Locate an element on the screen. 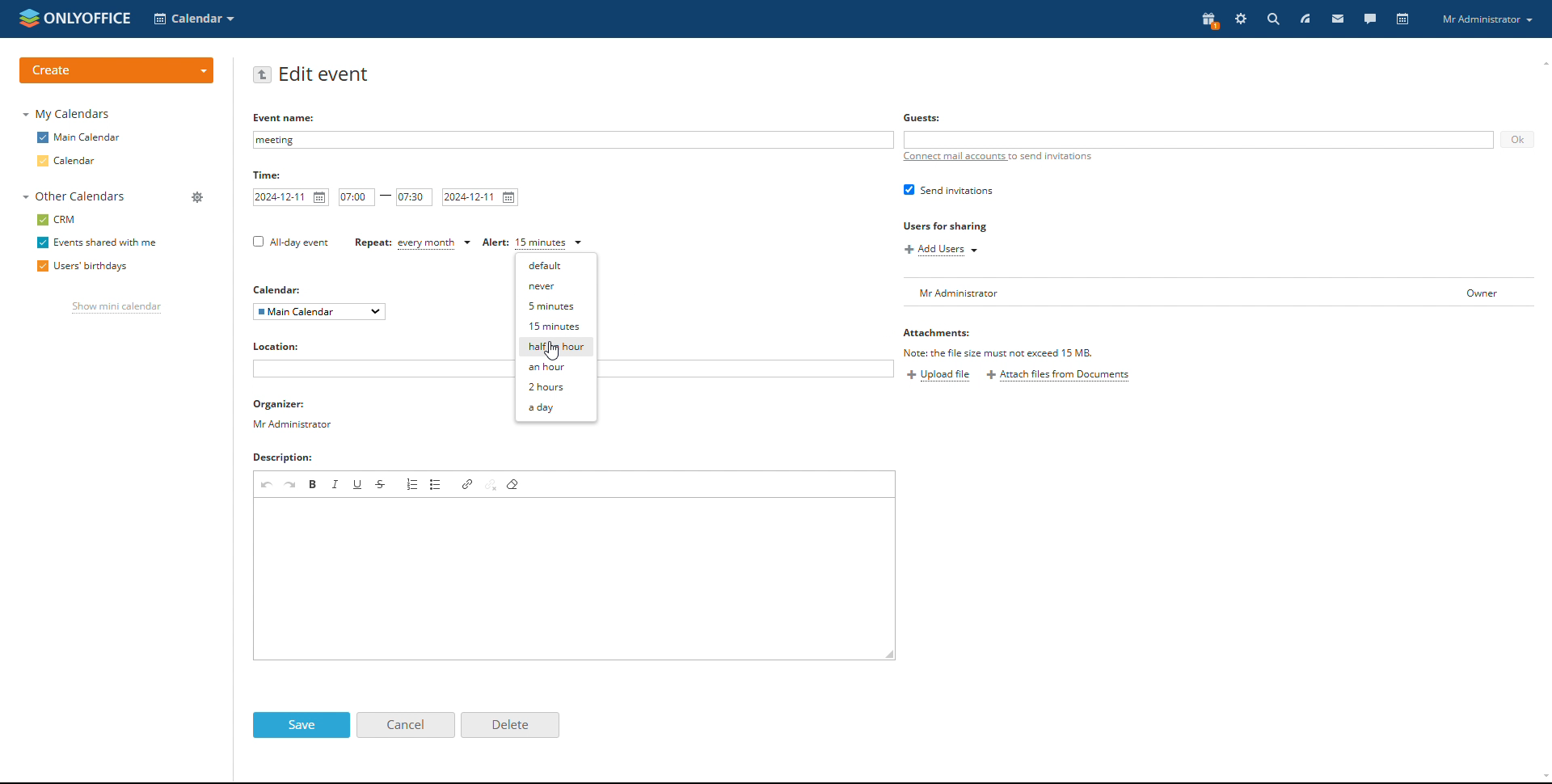 This screenshot has height=784, width=1552. present is located at coordinates (1209, 21).